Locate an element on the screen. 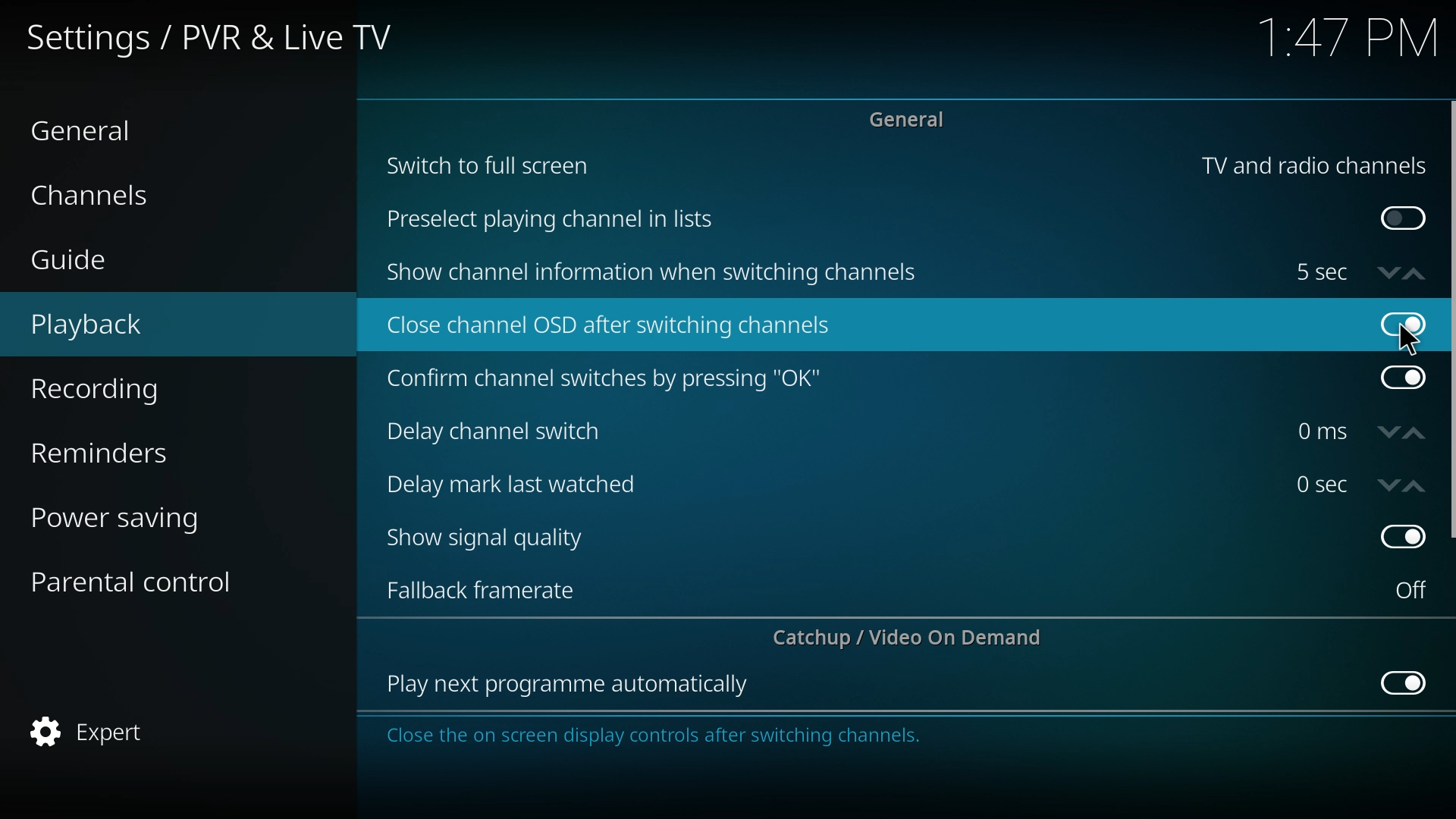 The width and height of the screenshot is (1456, 819). off is located at coordinates (1402, 324).